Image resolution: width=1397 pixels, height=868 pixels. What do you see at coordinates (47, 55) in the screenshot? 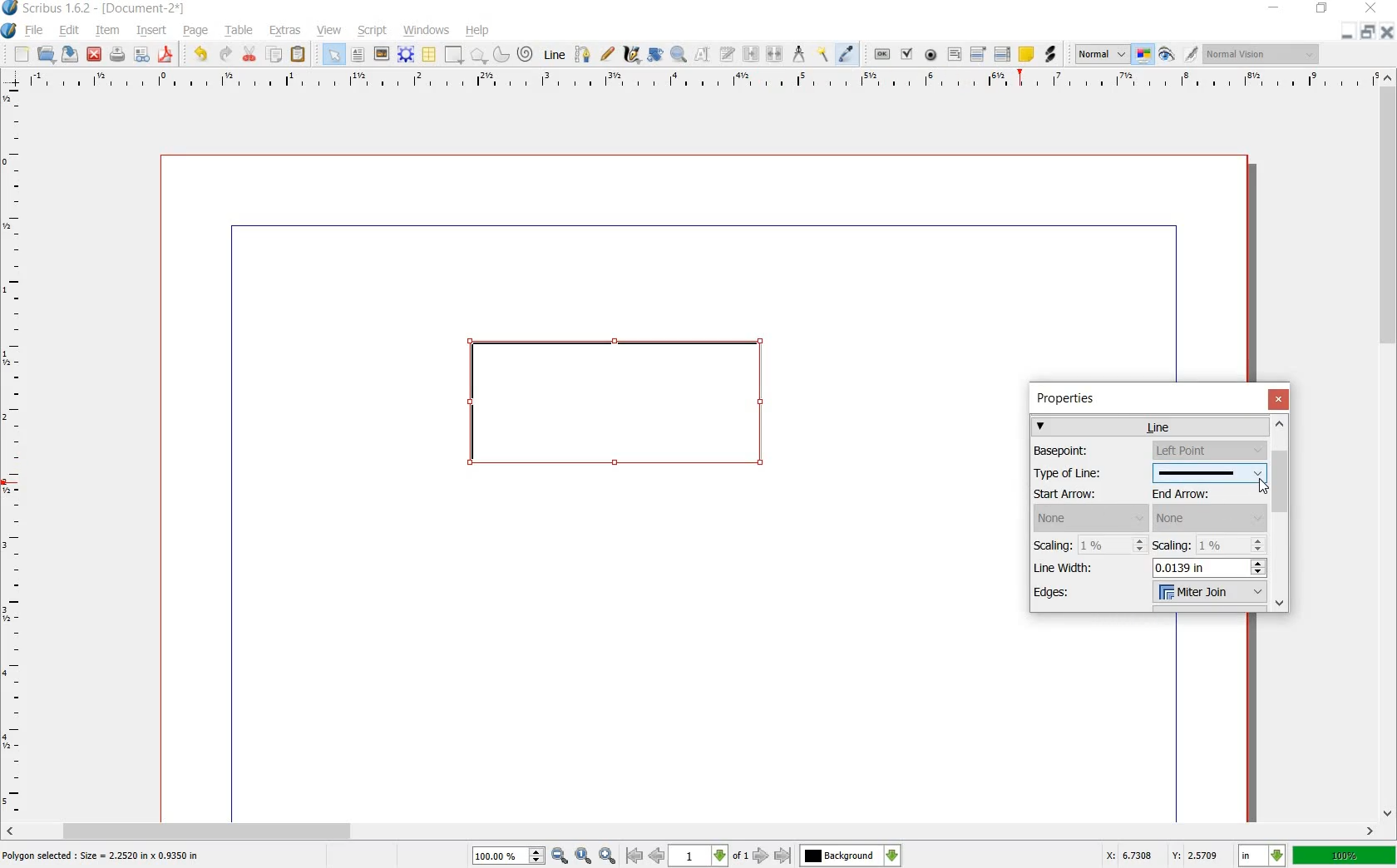
I see `OPEN` at bounding box center [47, 55].